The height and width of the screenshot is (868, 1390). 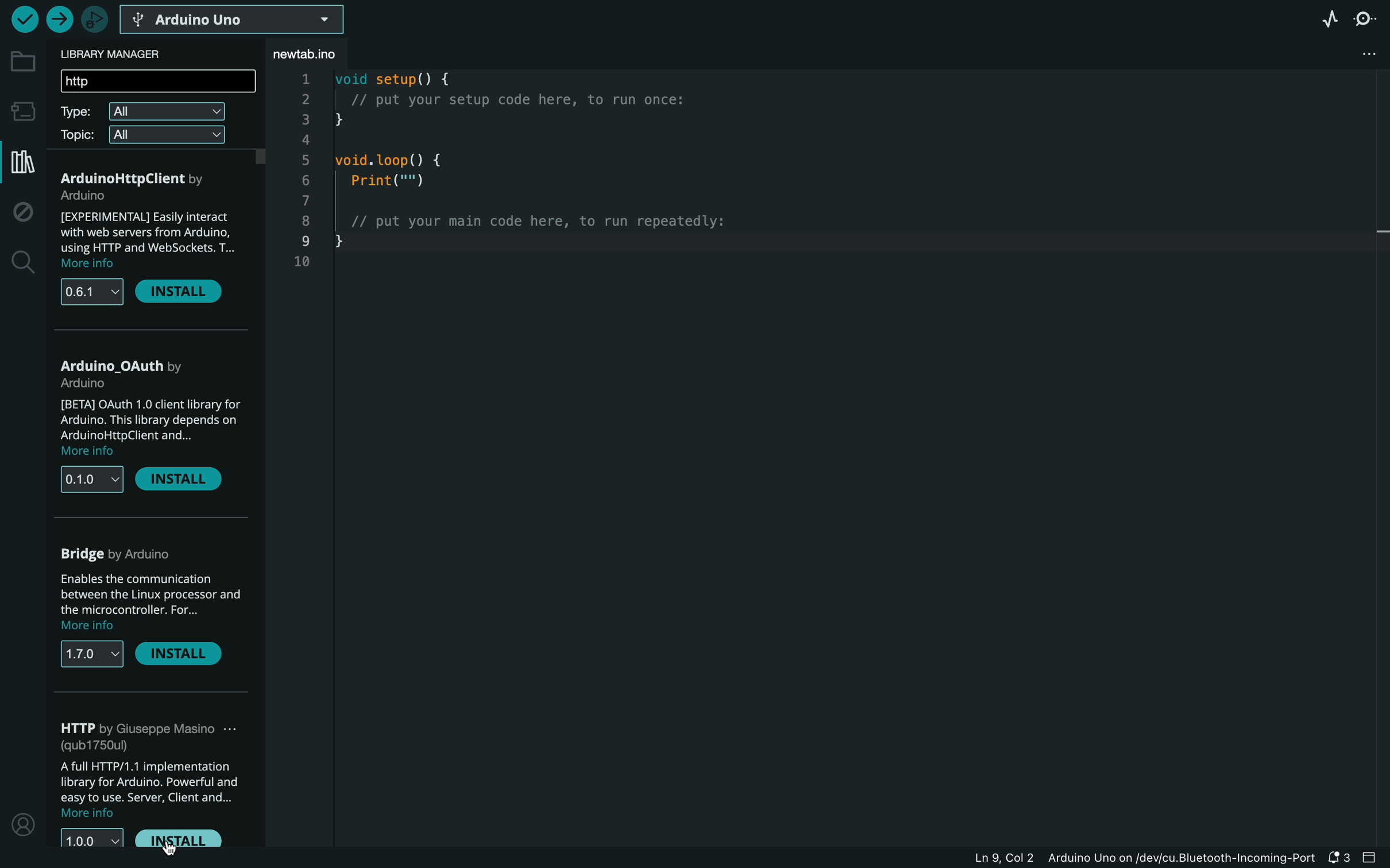 What do you see at coordinates (132, 53) in the screenshot?
I see `library manager` at bounding box center [132, 53].